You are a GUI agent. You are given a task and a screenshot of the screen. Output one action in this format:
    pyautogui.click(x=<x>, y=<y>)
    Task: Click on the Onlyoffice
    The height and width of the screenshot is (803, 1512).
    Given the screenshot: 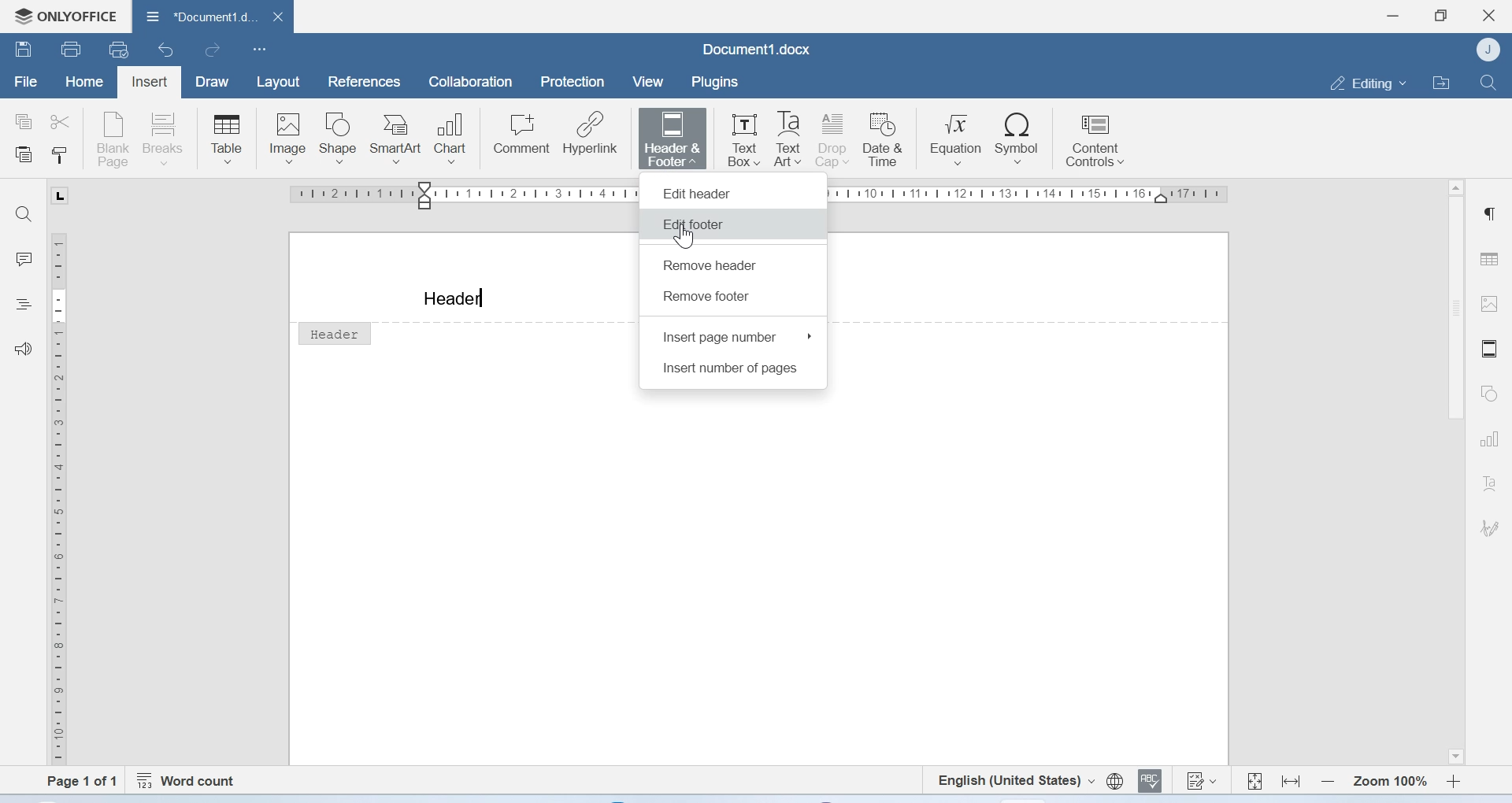 What is the action you would take?
    pyautogui.click(x=65, y=14)
    